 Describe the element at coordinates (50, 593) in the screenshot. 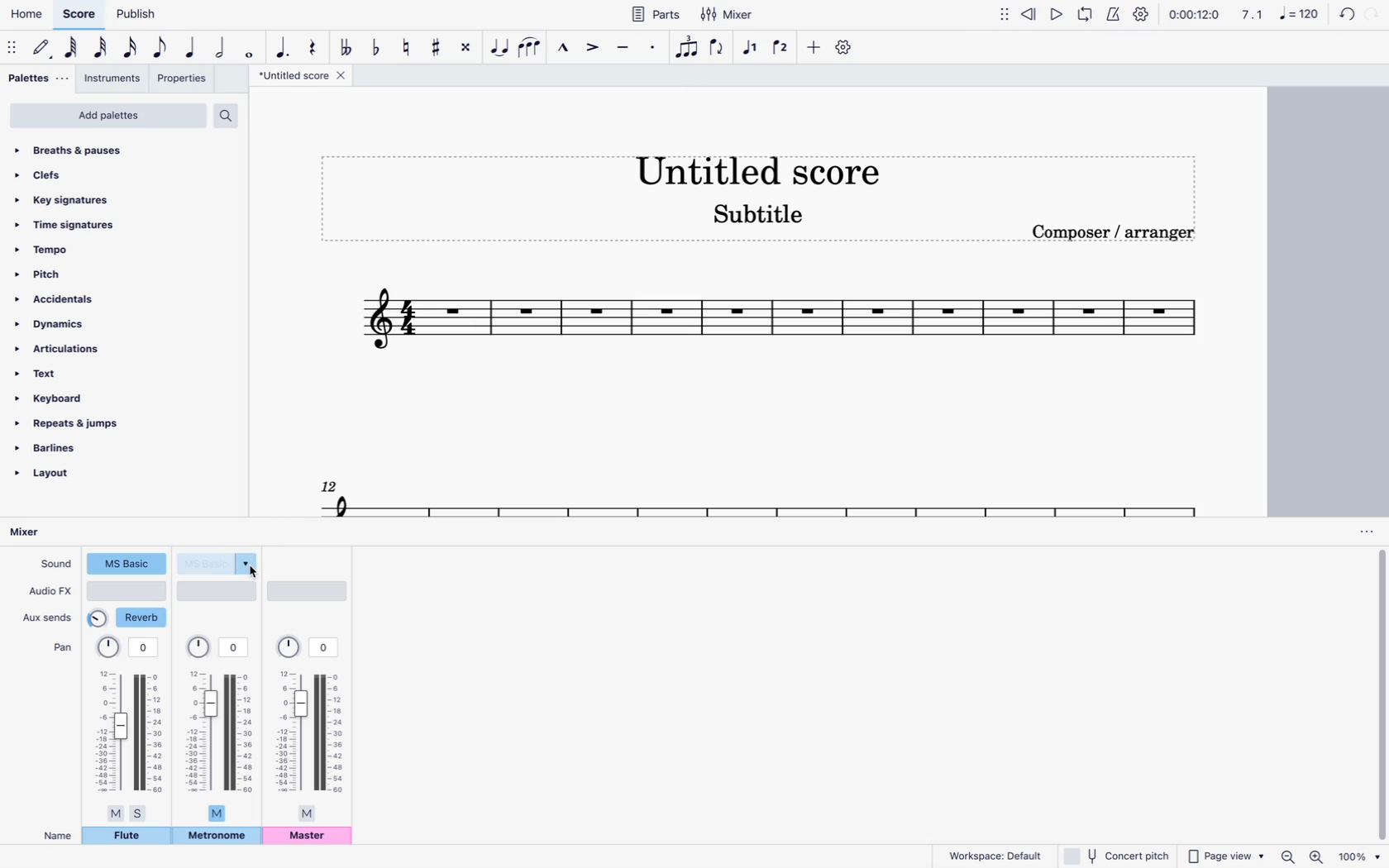

I see `audio fx` at that location.